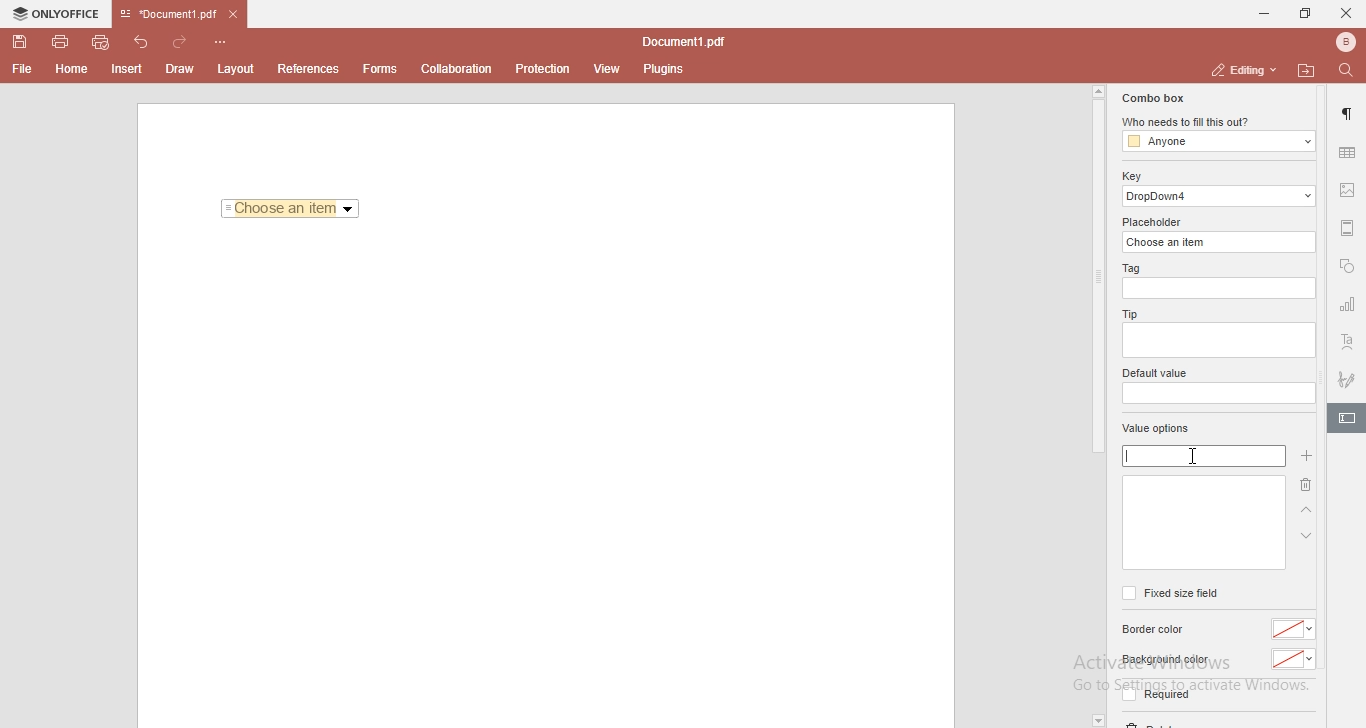 The image size is (1366, 728). I want to click on undo, so click(144, 40).